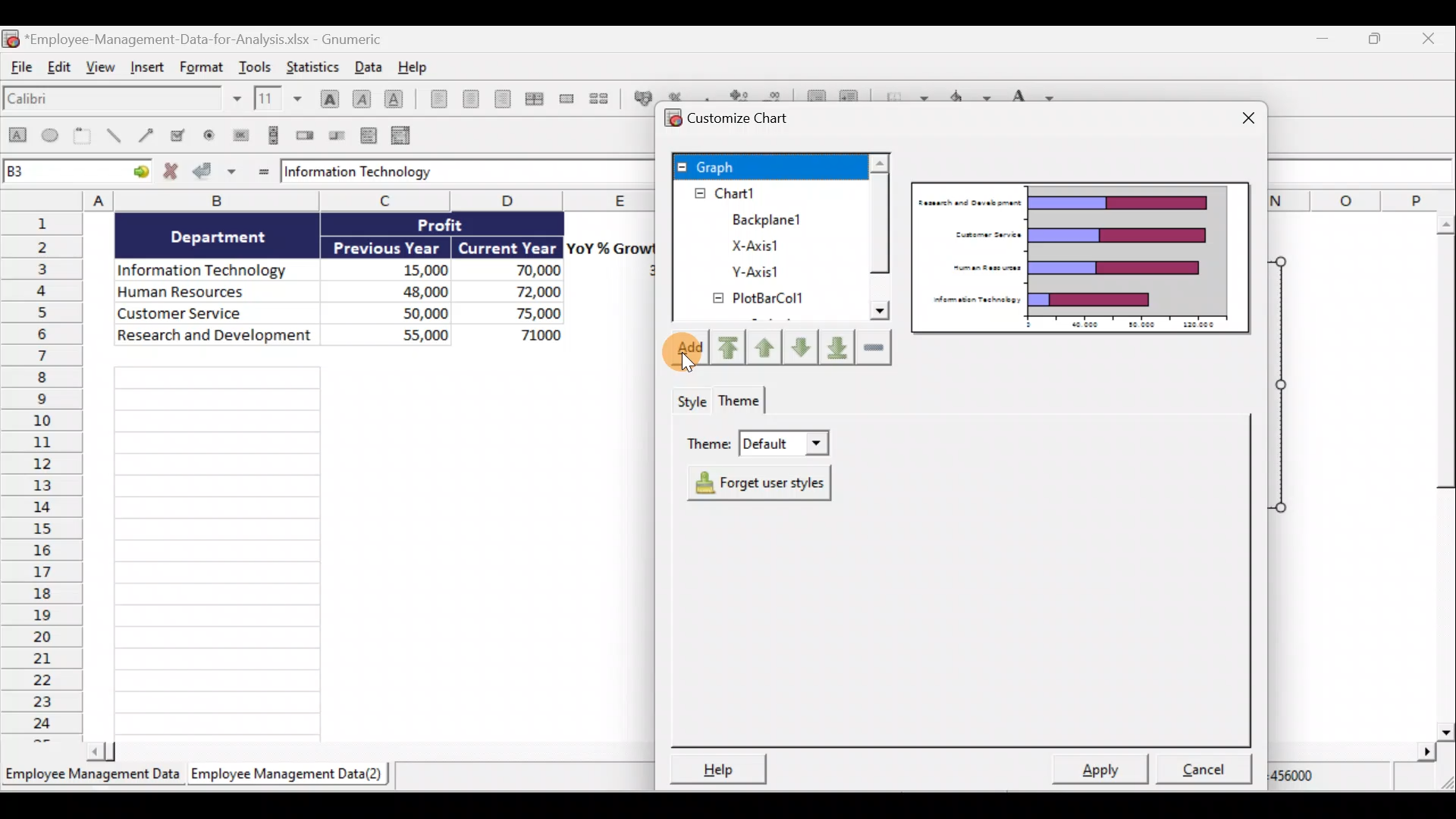 The width and height of the screenshot is (1456, 819). I want to click on 71000, so click(535, 334).